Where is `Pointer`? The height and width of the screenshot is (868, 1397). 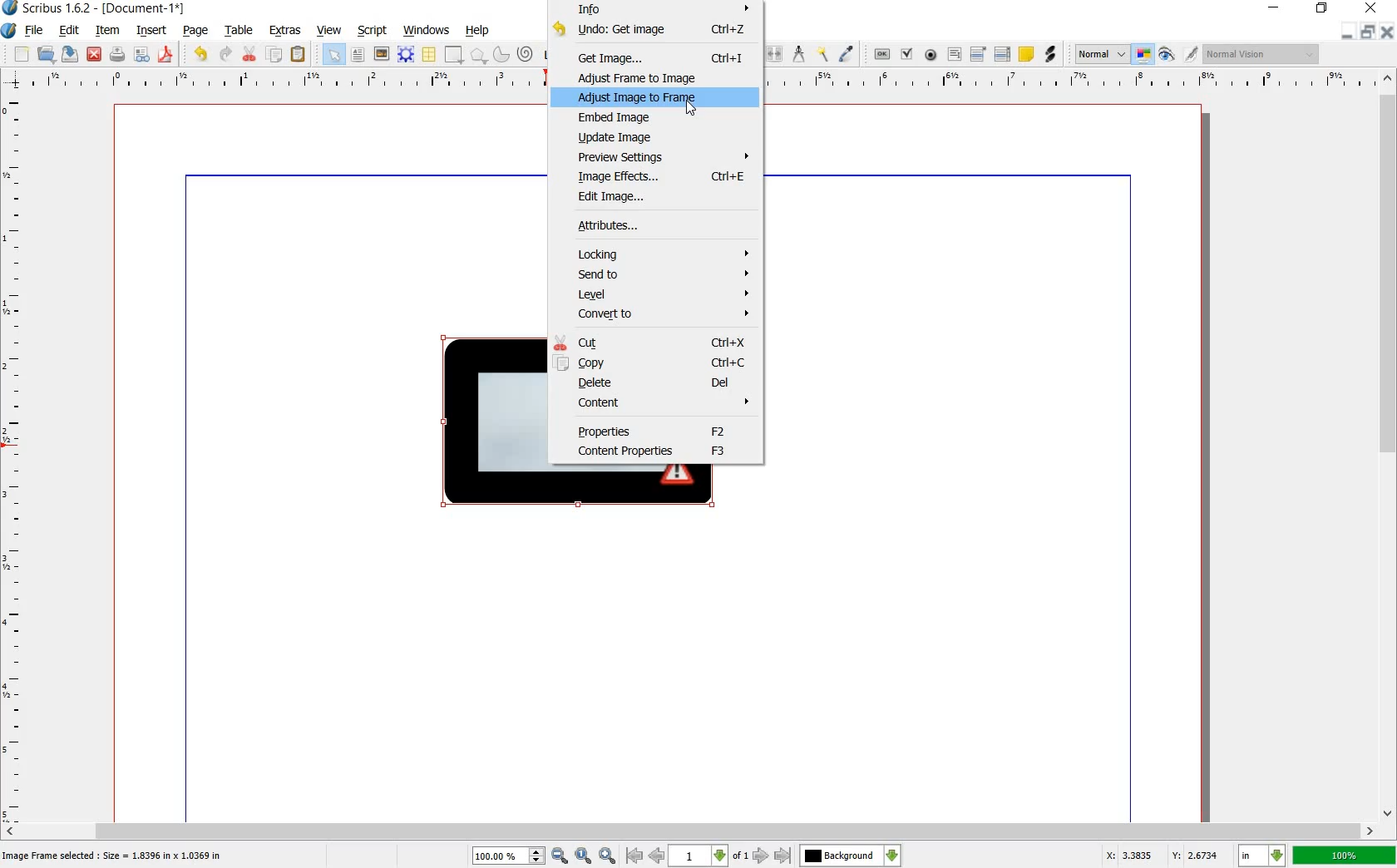
Pointer is located at coordinates (691, 110).